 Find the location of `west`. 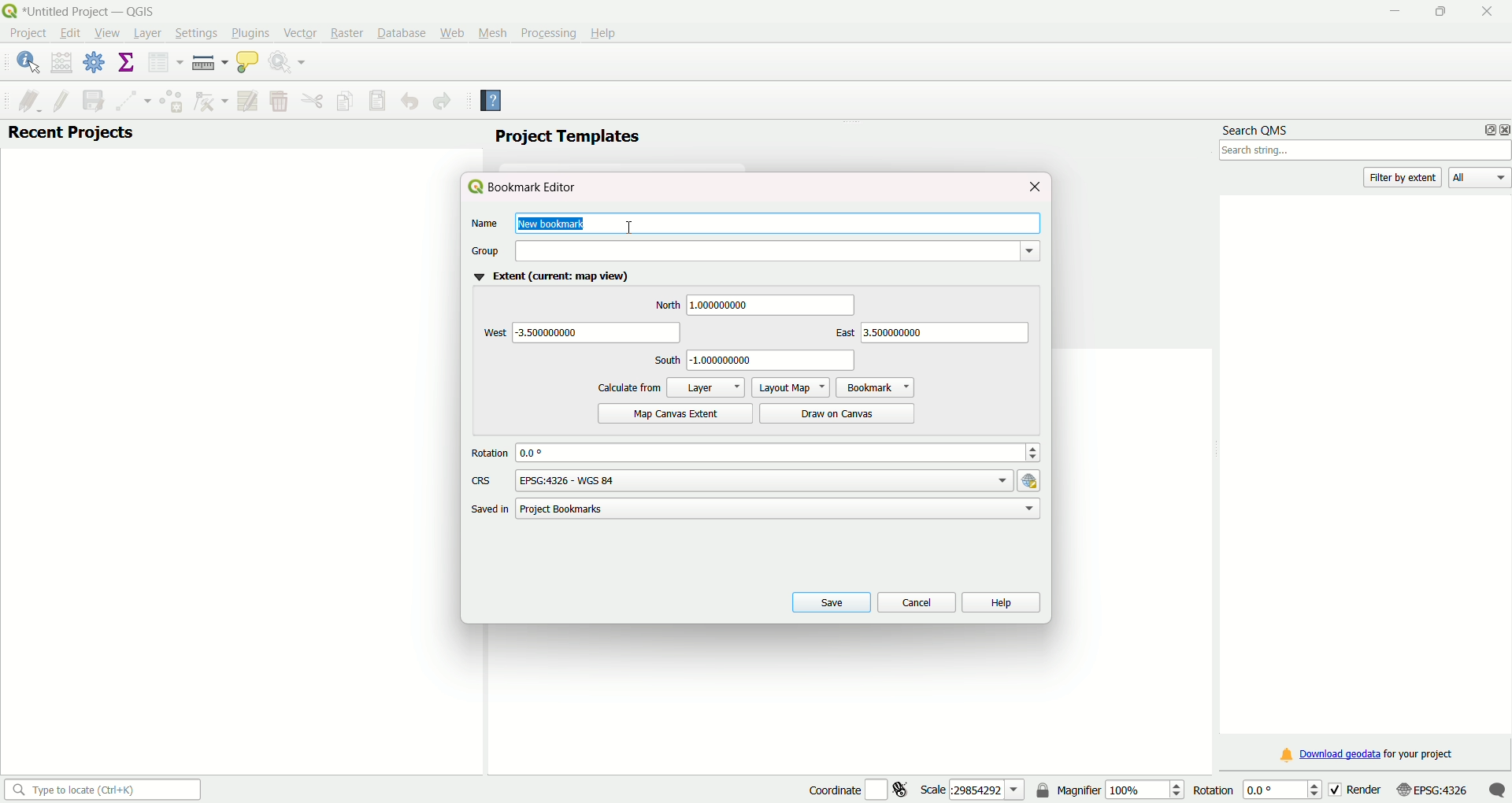

west is located at coordinates (492, 333).